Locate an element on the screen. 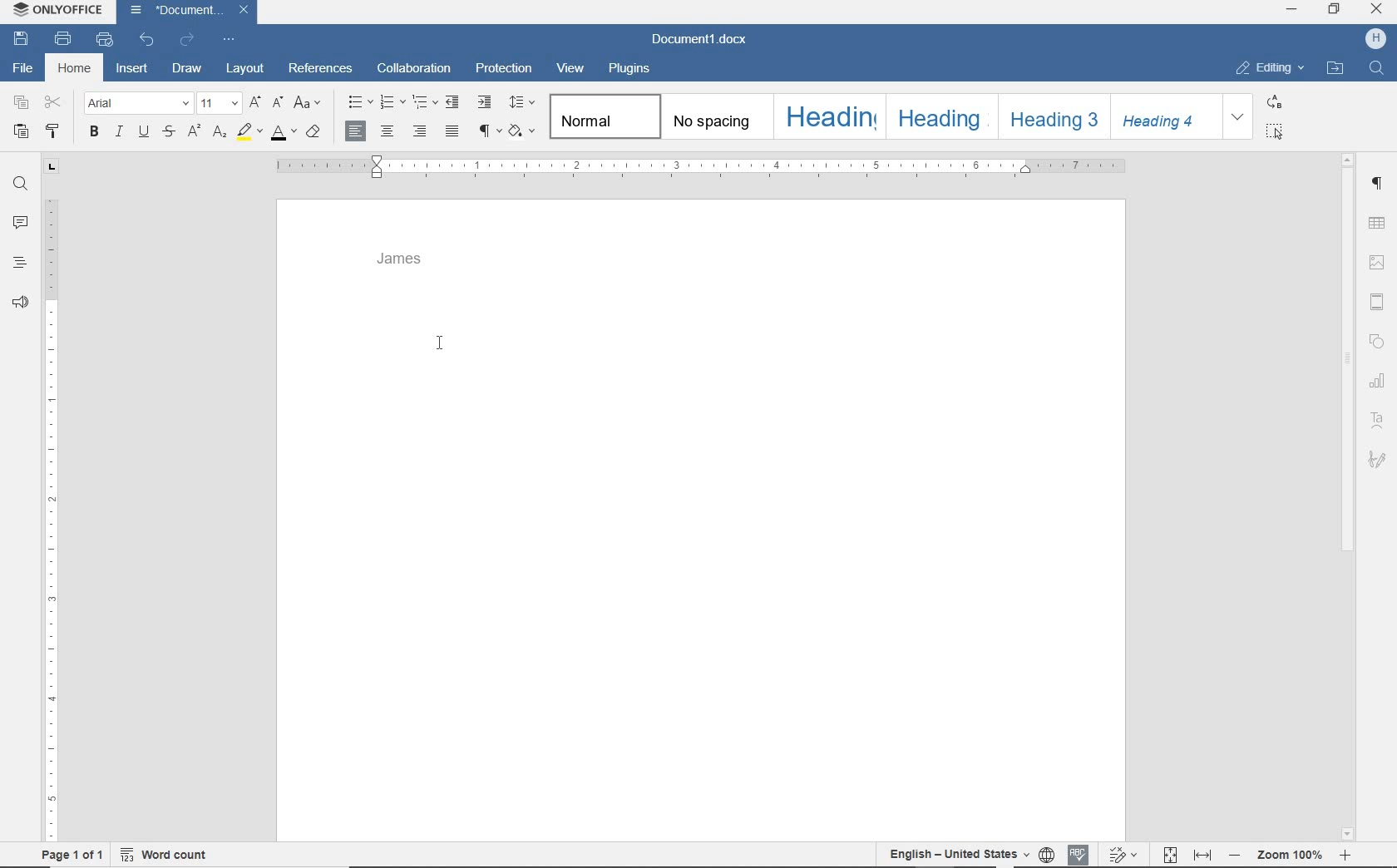 This screenshot has height=868, width=1397. fit to page is located at coordinates (1169, 855).